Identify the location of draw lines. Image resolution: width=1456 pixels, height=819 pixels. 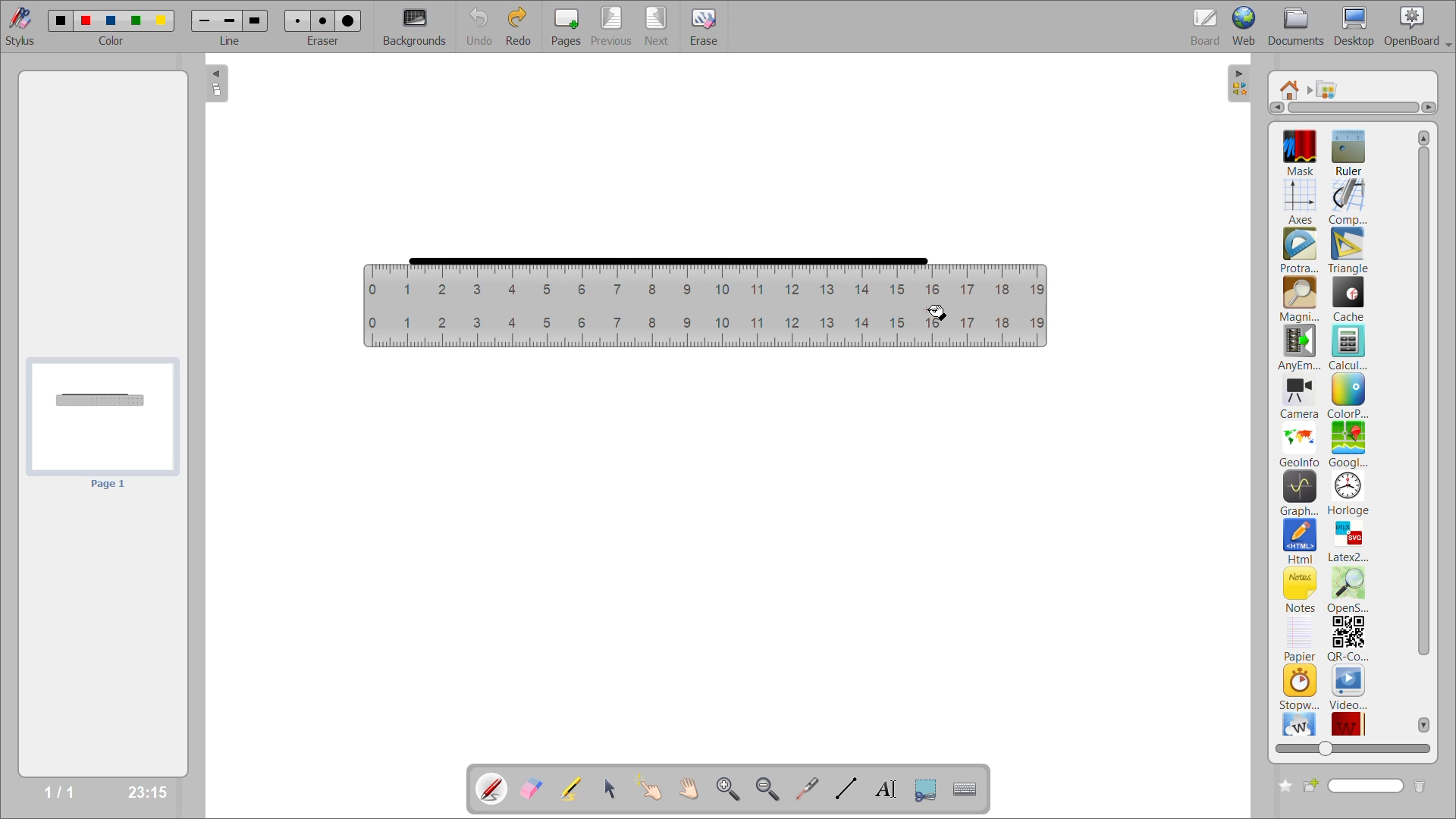
(844, 788).